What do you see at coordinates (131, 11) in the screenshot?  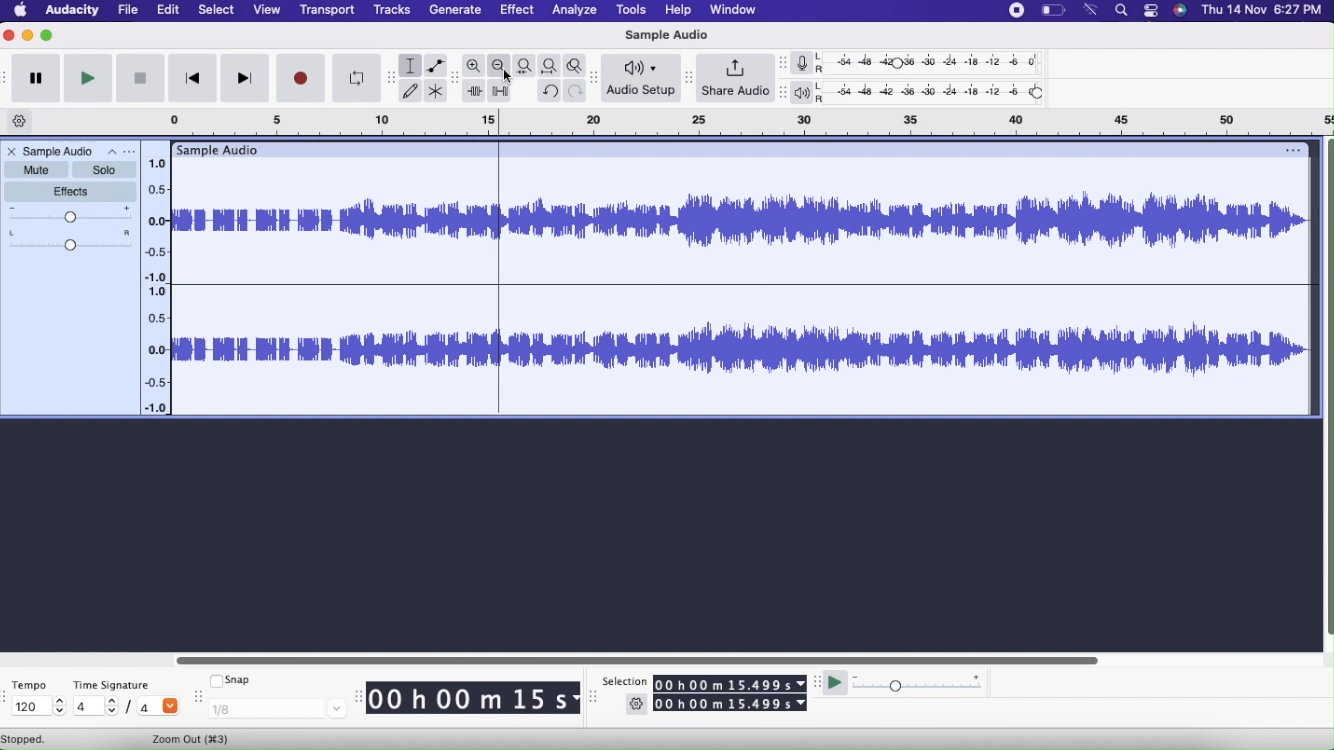 I see `File` at bounding box center [131, 11].